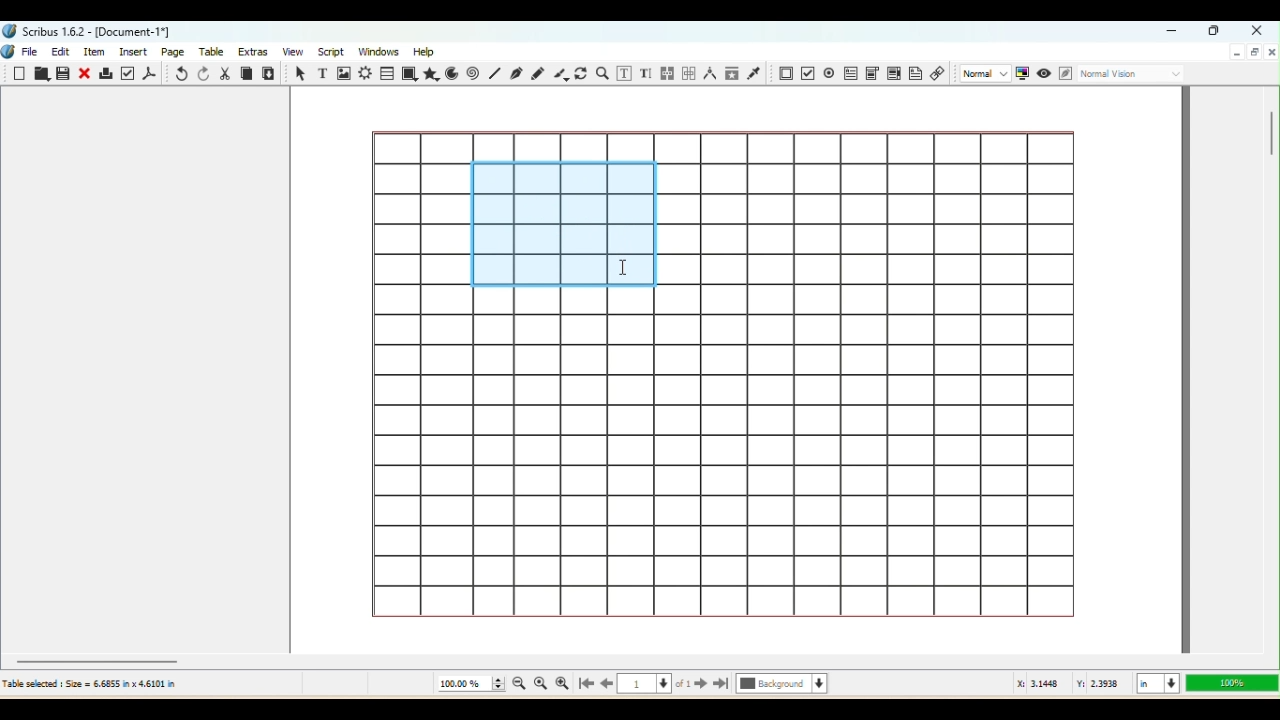  What do you see at coordinates (829, 72) in the screenshot?
I see `PDF check button` at bounding box center [829, 72].